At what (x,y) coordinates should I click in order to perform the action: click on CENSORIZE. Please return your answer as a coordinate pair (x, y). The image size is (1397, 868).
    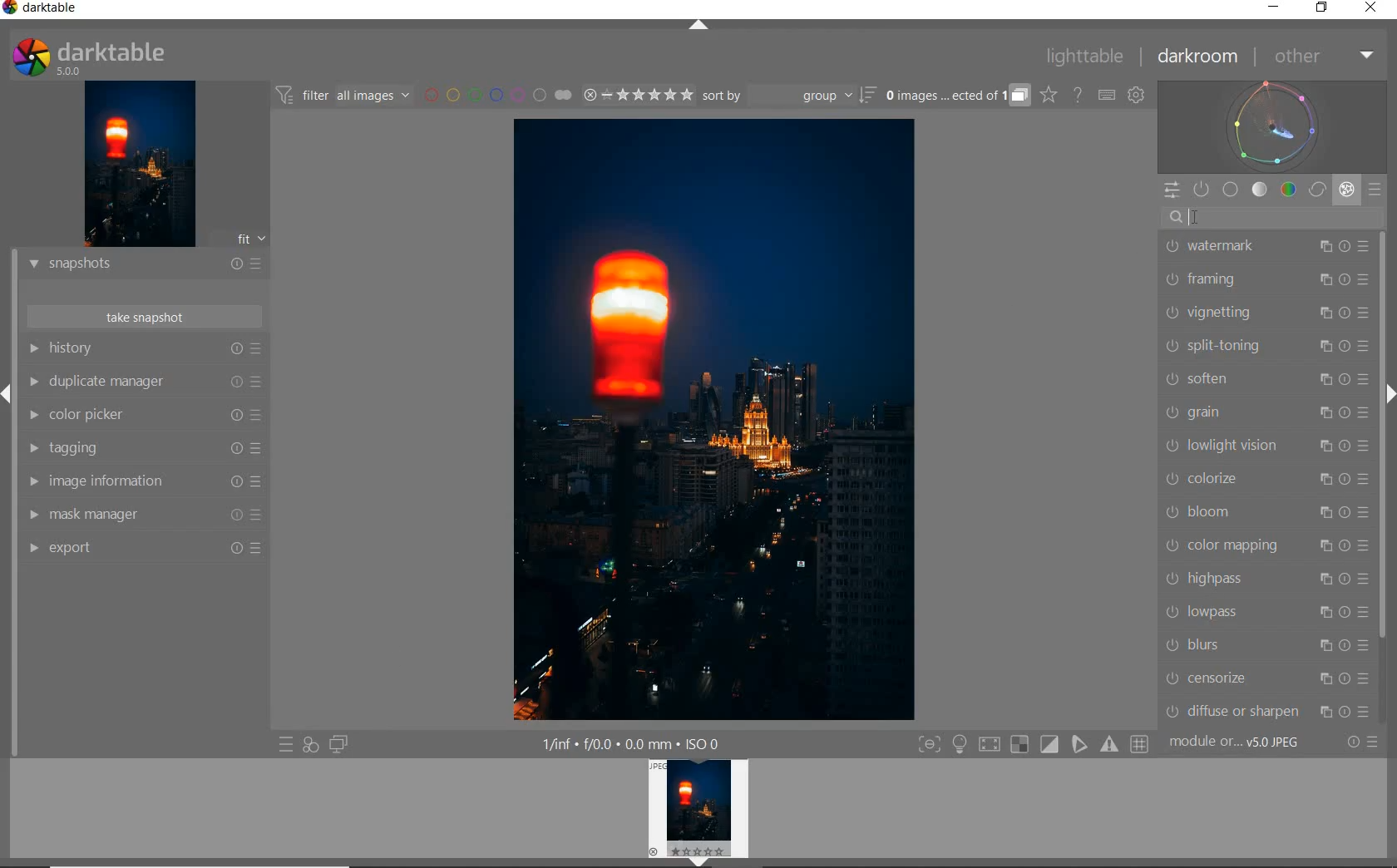
    Looking at the image, I should click on (1221, 678).